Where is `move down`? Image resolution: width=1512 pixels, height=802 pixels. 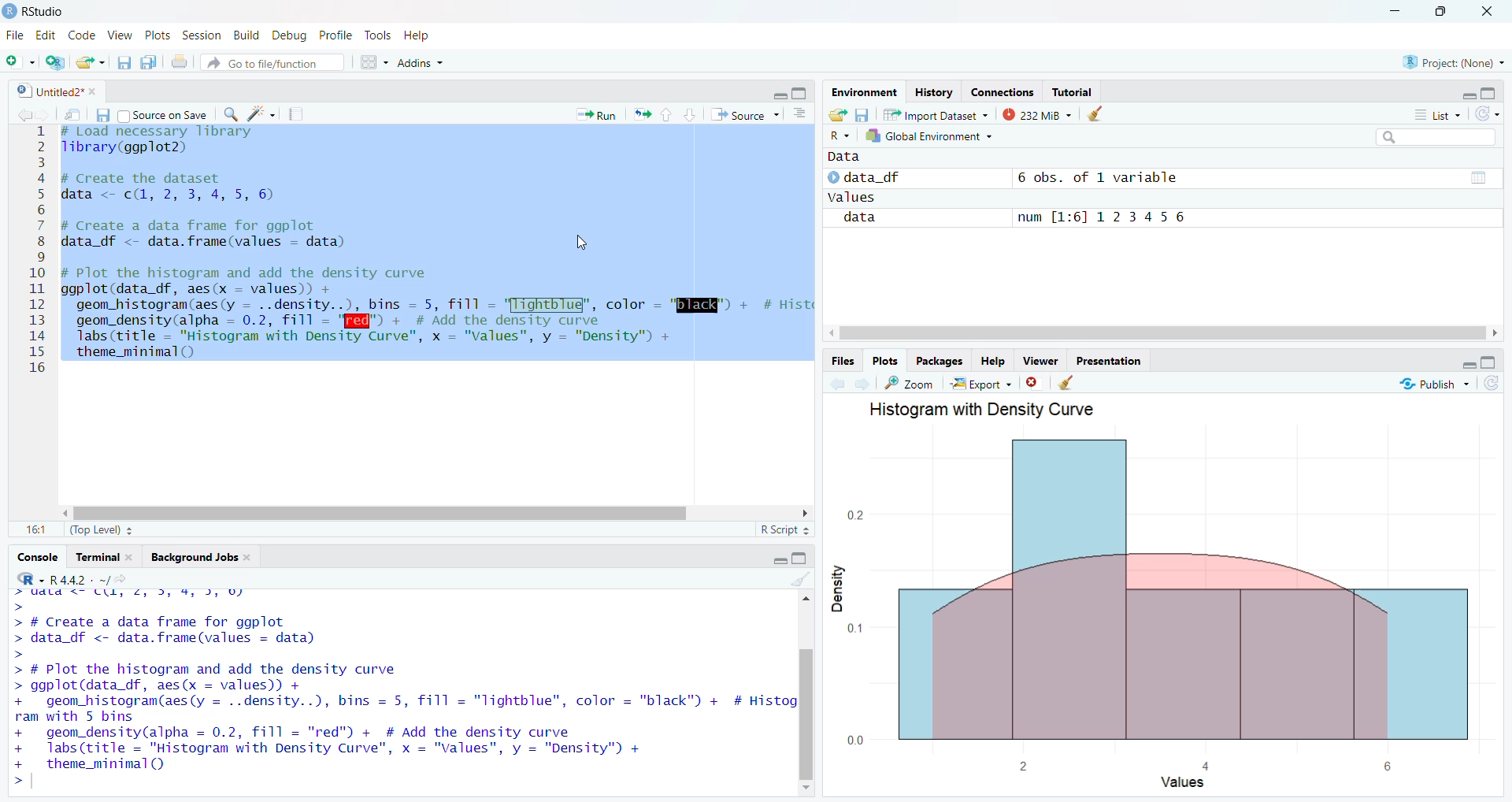
move down is located at coordinates (803, 789).